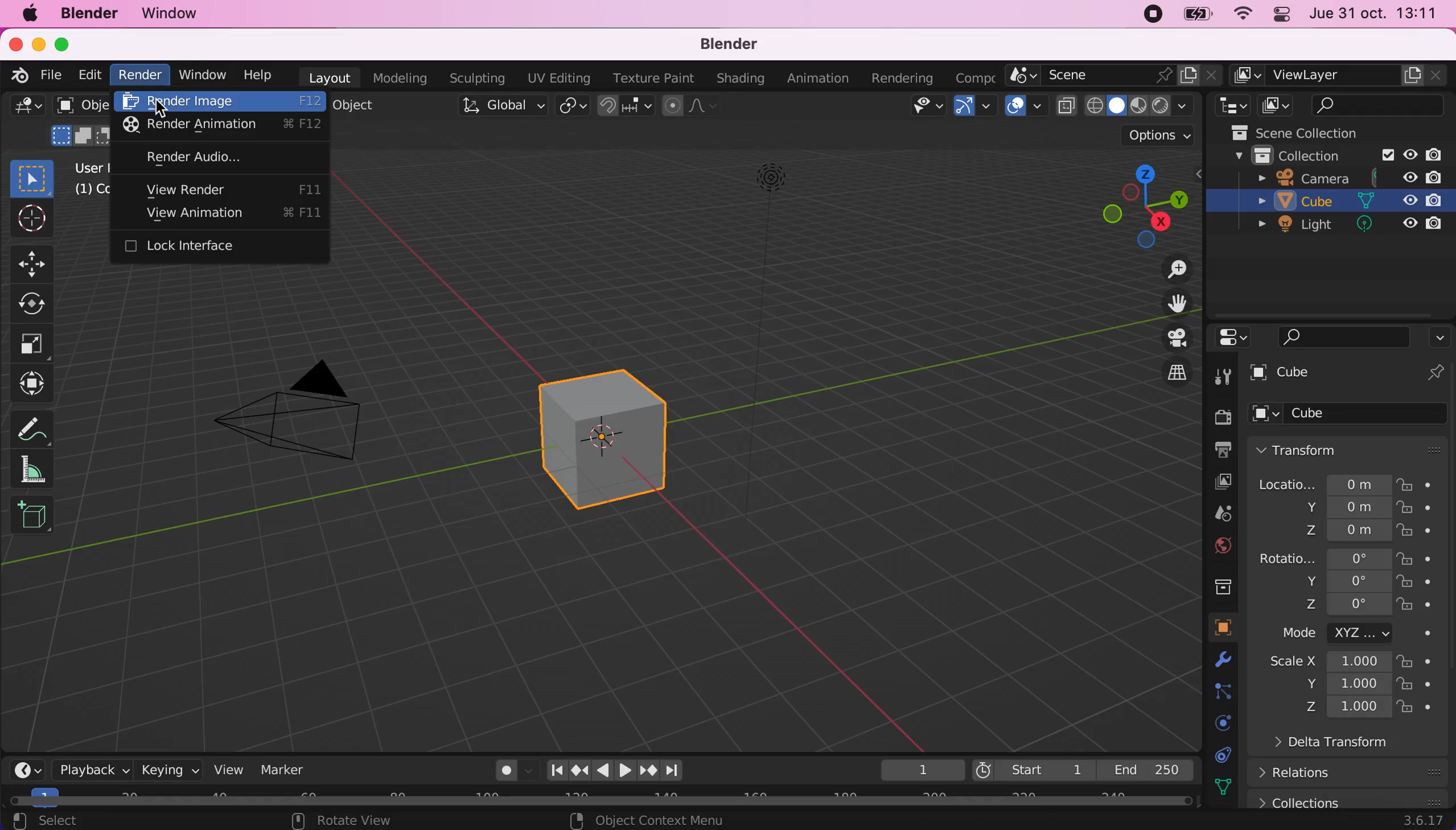 This screenshot has width=1456, height=830. Describe the element at coordinates (976, 109) in the screenshot. I see `Show gizmo` at that location.